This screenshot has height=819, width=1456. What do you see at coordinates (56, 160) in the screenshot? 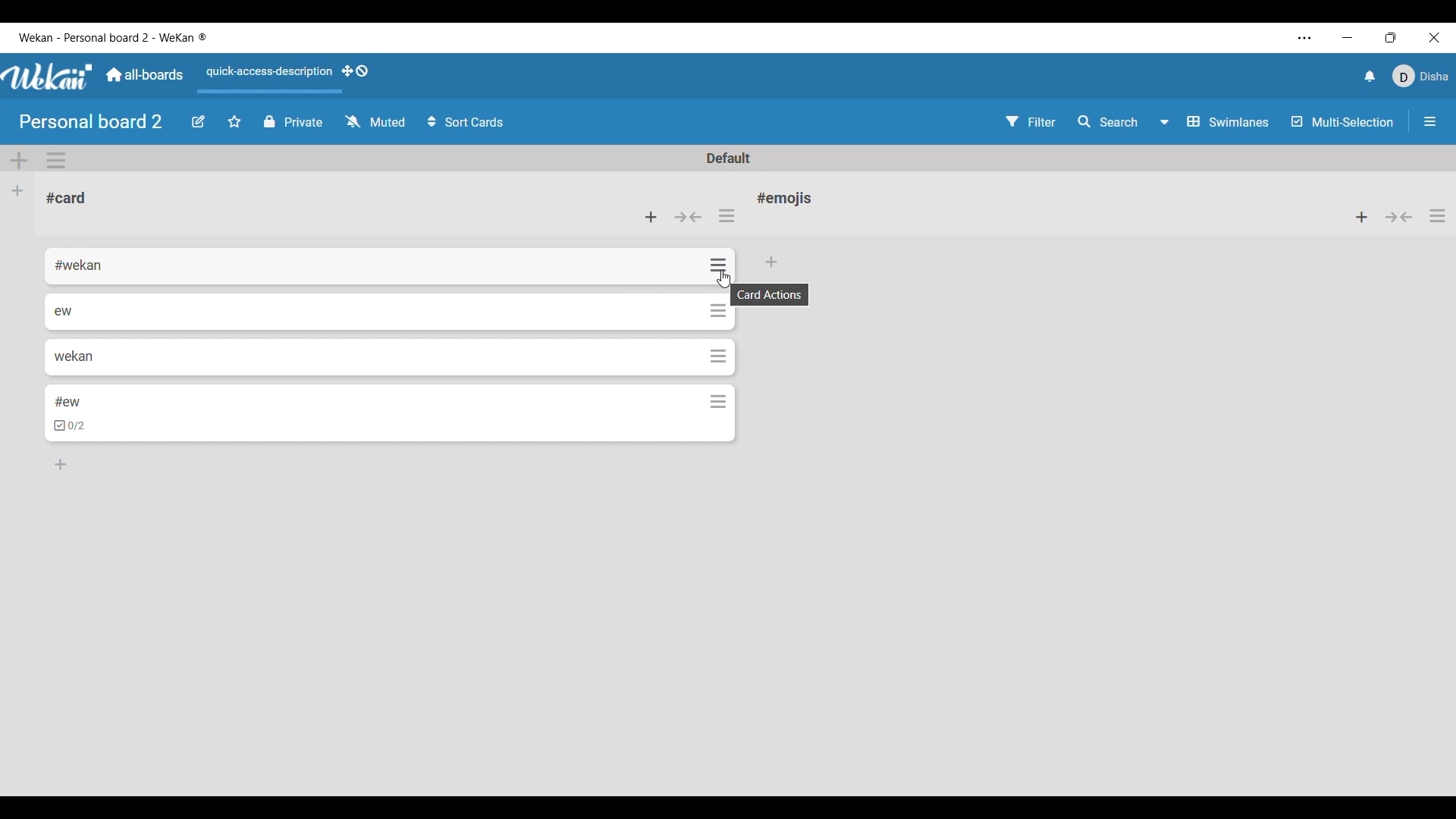
I see `Swimlane actions` at bounding box center [56, 160].